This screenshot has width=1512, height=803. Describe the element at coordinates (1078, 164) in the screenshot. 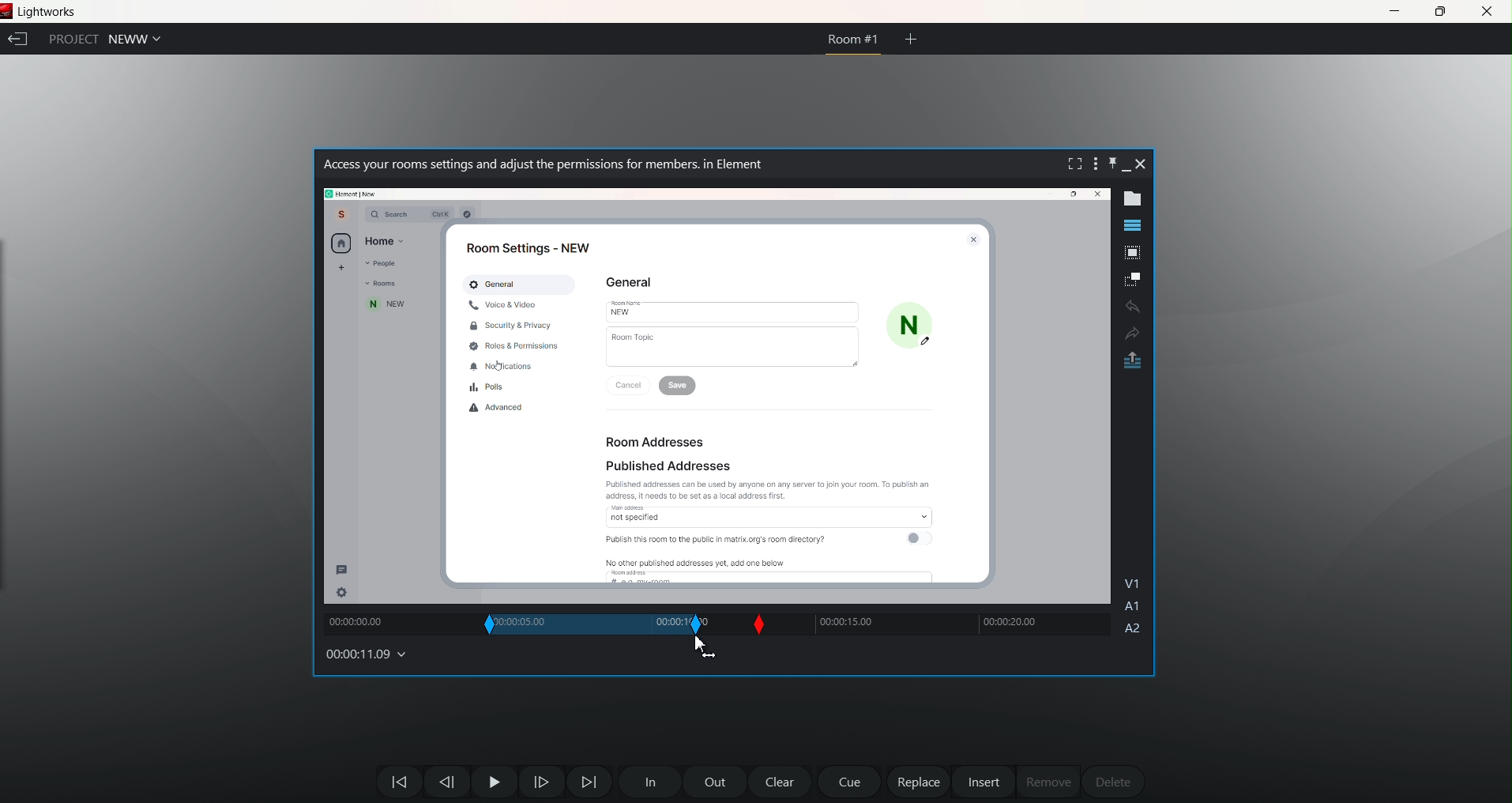

I see `fullscreen` at that location.